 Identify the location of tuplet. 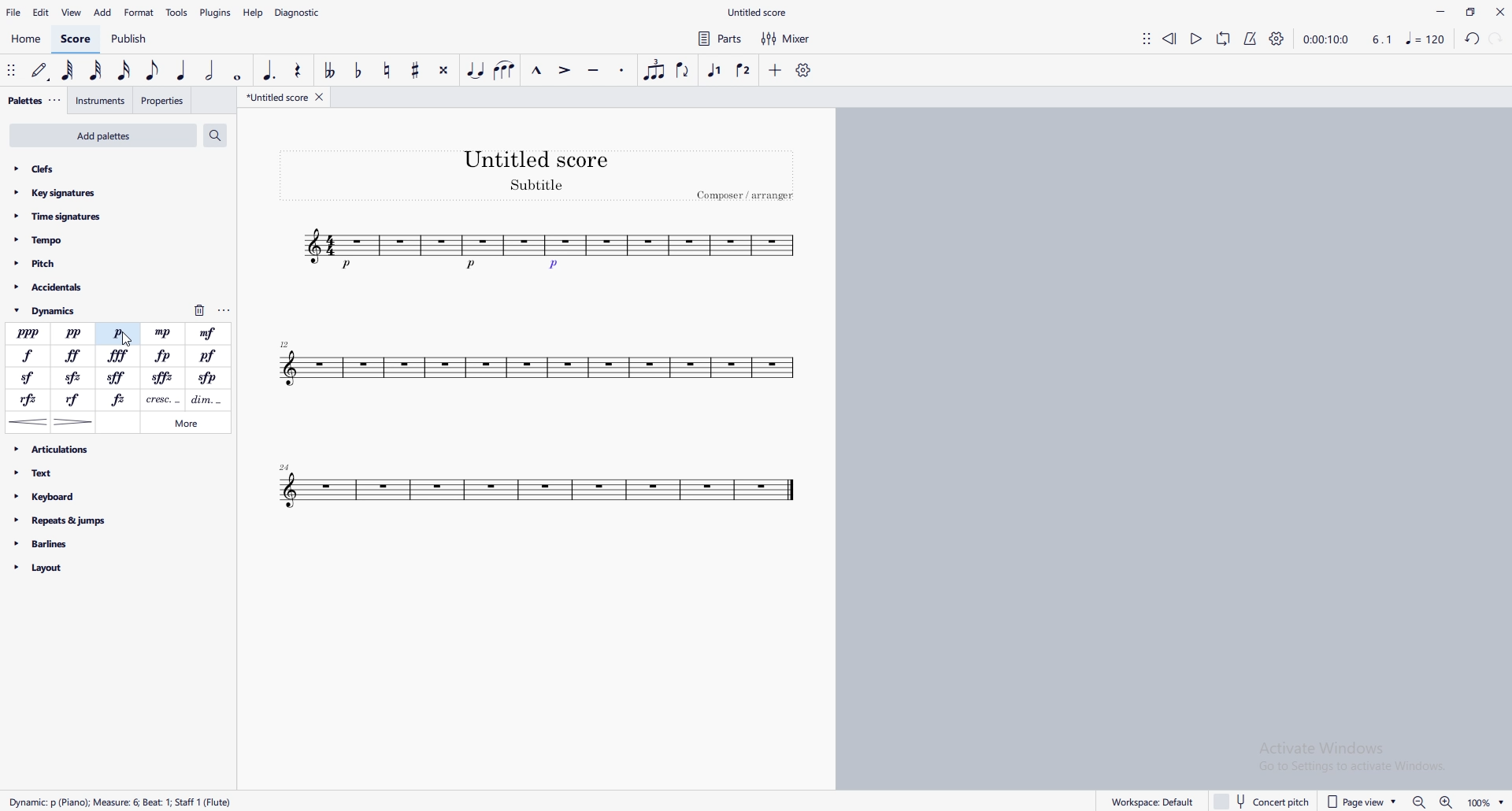
(655, 70).